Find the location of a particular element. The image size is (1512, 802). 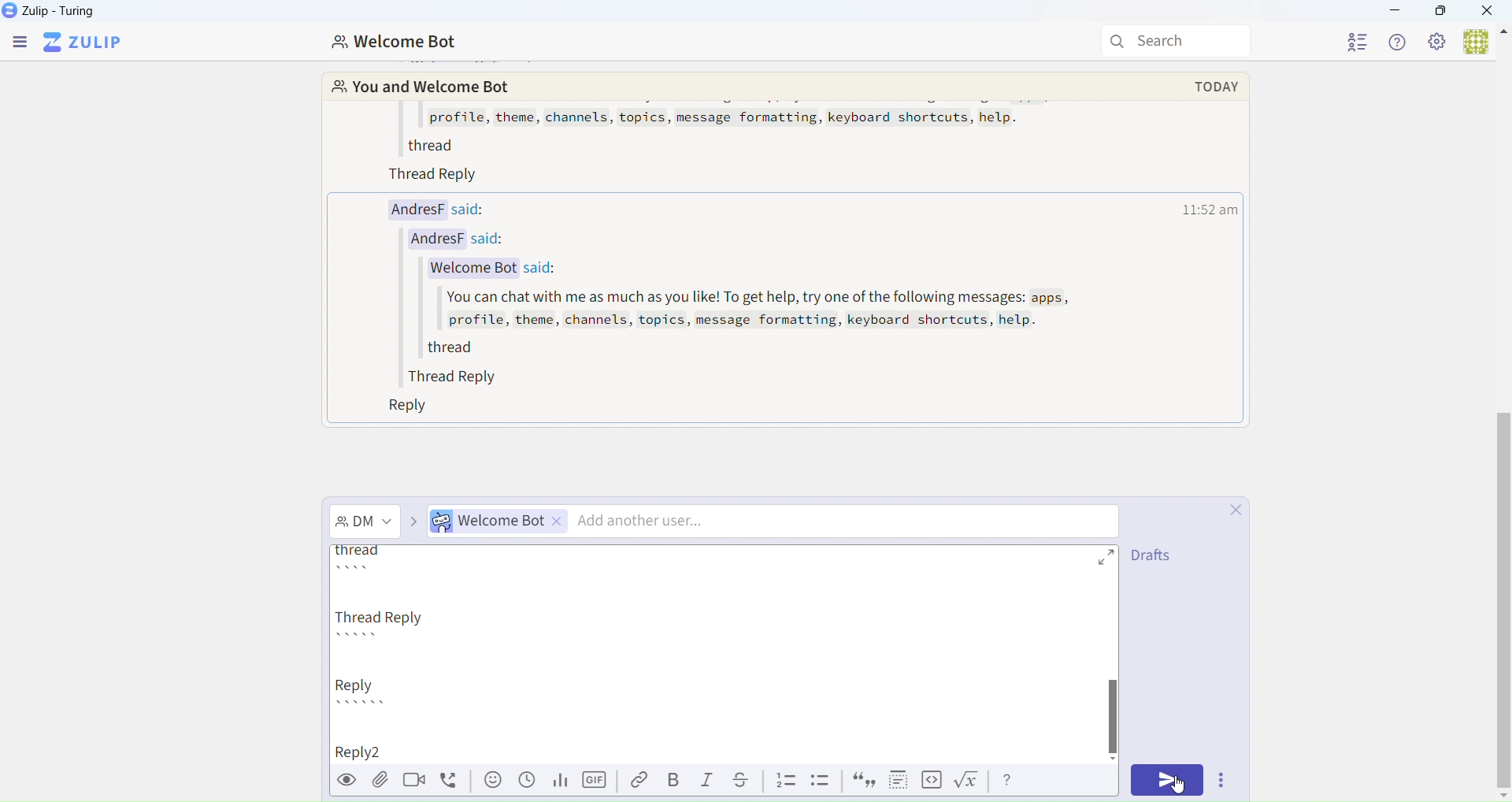

Reply is located at coordinates (397, 407).